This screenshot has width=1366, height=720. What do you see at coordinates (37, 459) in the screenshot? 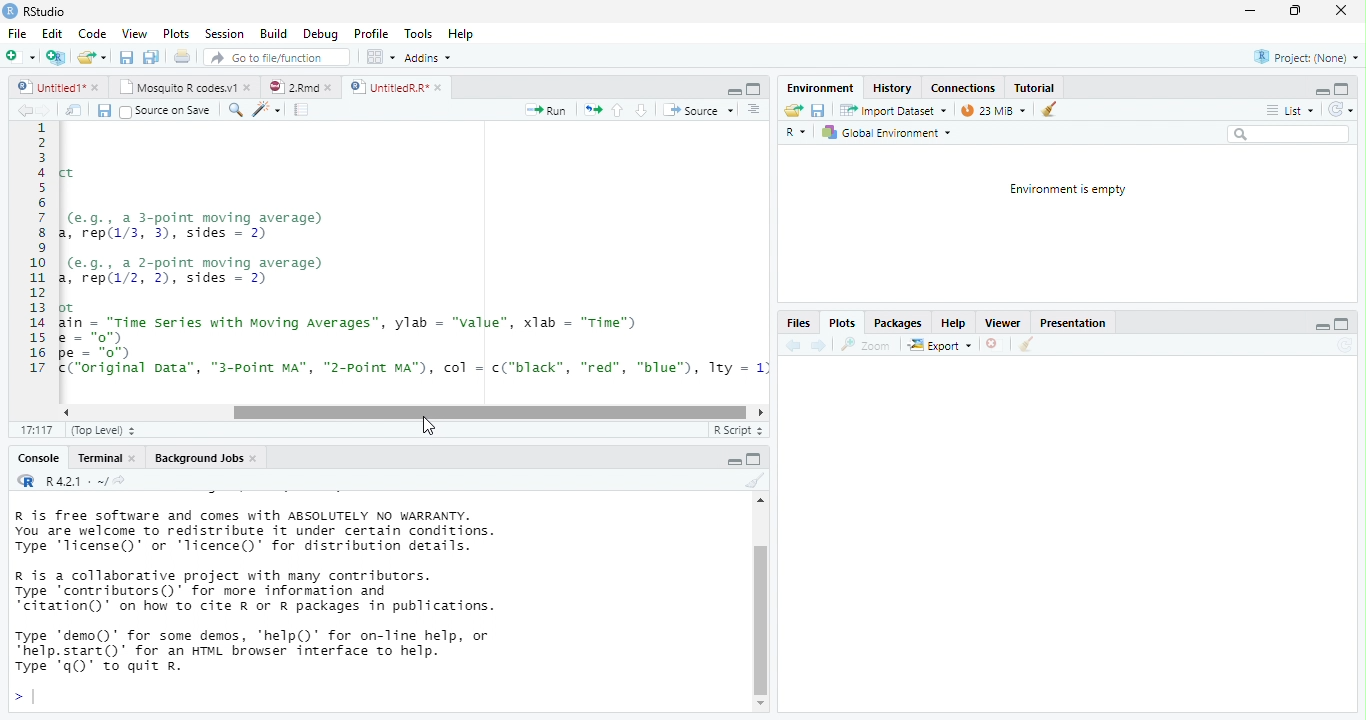
I see `Console` at bounding box center [37, 459].